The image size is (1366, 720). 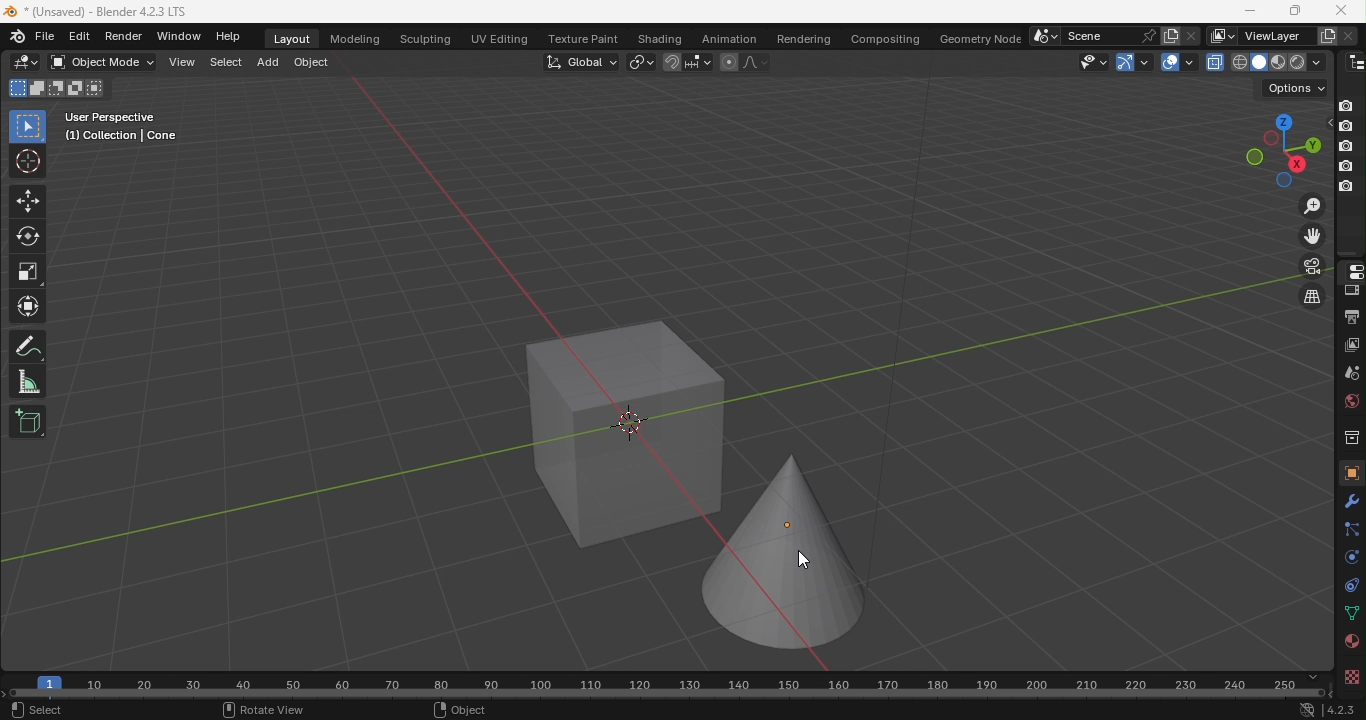 What do you see at coordinates (28, 420) in the screenshot?
I see `Add cube` at bounding box center [28, 420].